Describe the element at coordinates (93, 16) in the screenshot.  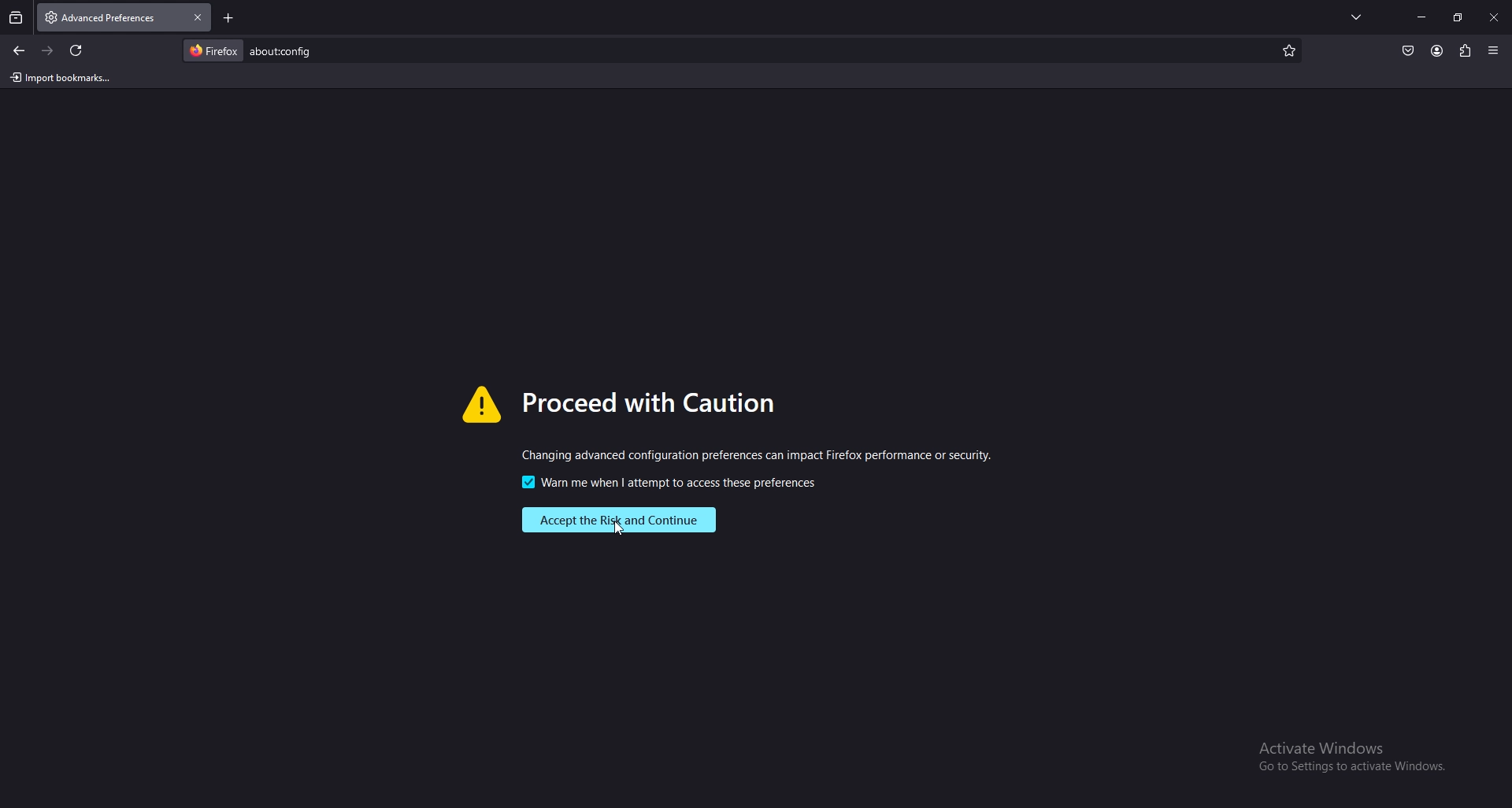
I see `tab` at that location.